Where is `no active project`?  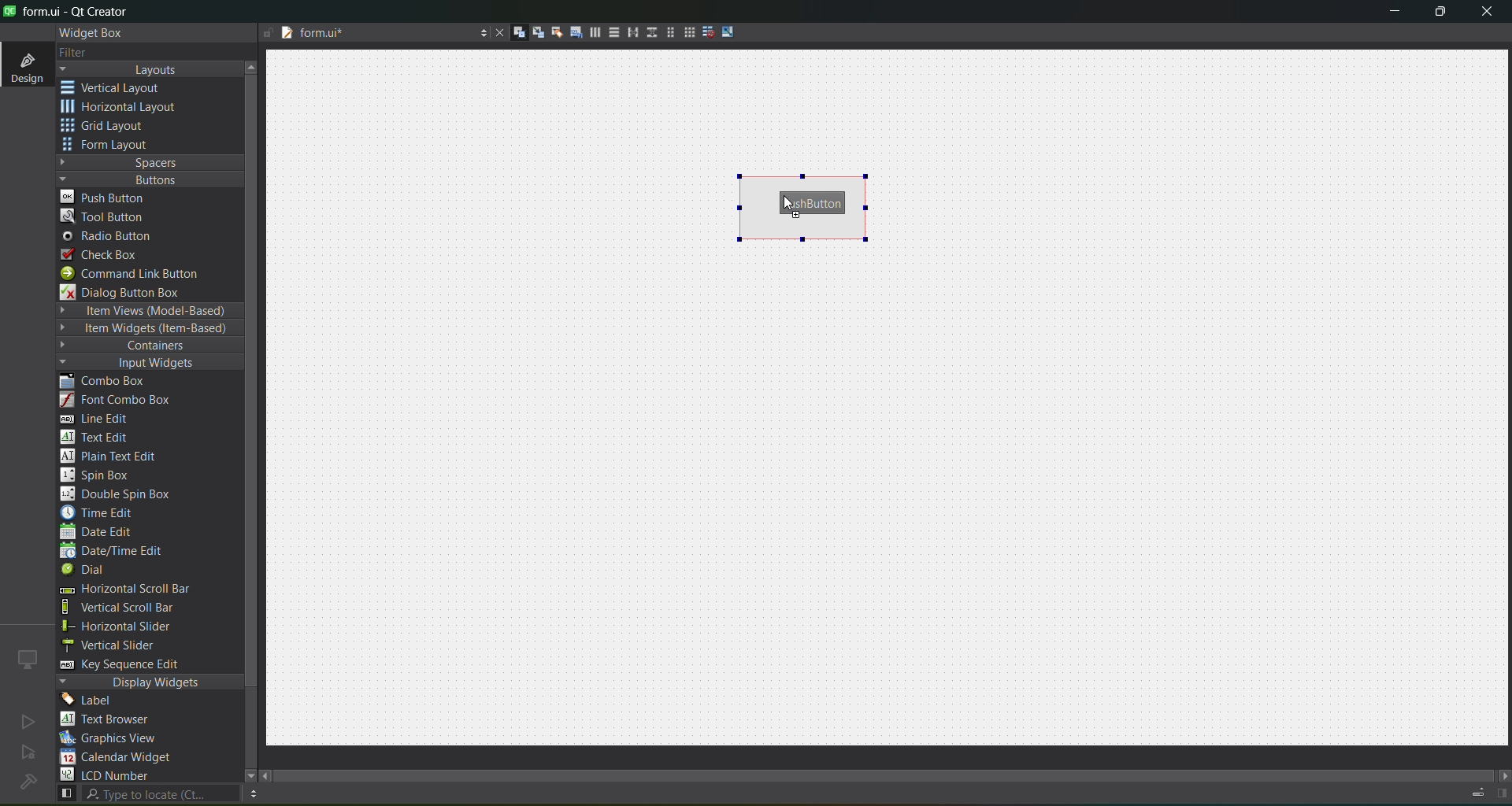
no active project is located at coordinates (28, 753).